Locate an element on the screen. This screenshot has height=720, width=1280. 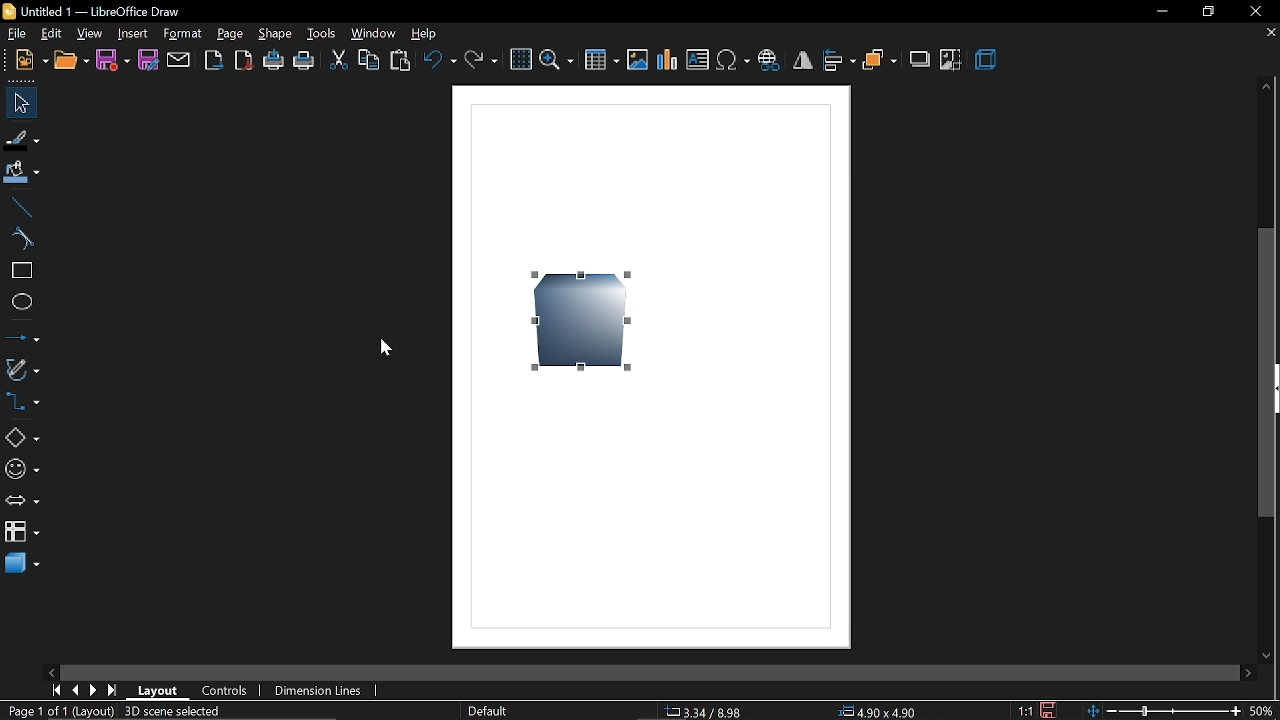
layout is located at coordinates (159, 690).